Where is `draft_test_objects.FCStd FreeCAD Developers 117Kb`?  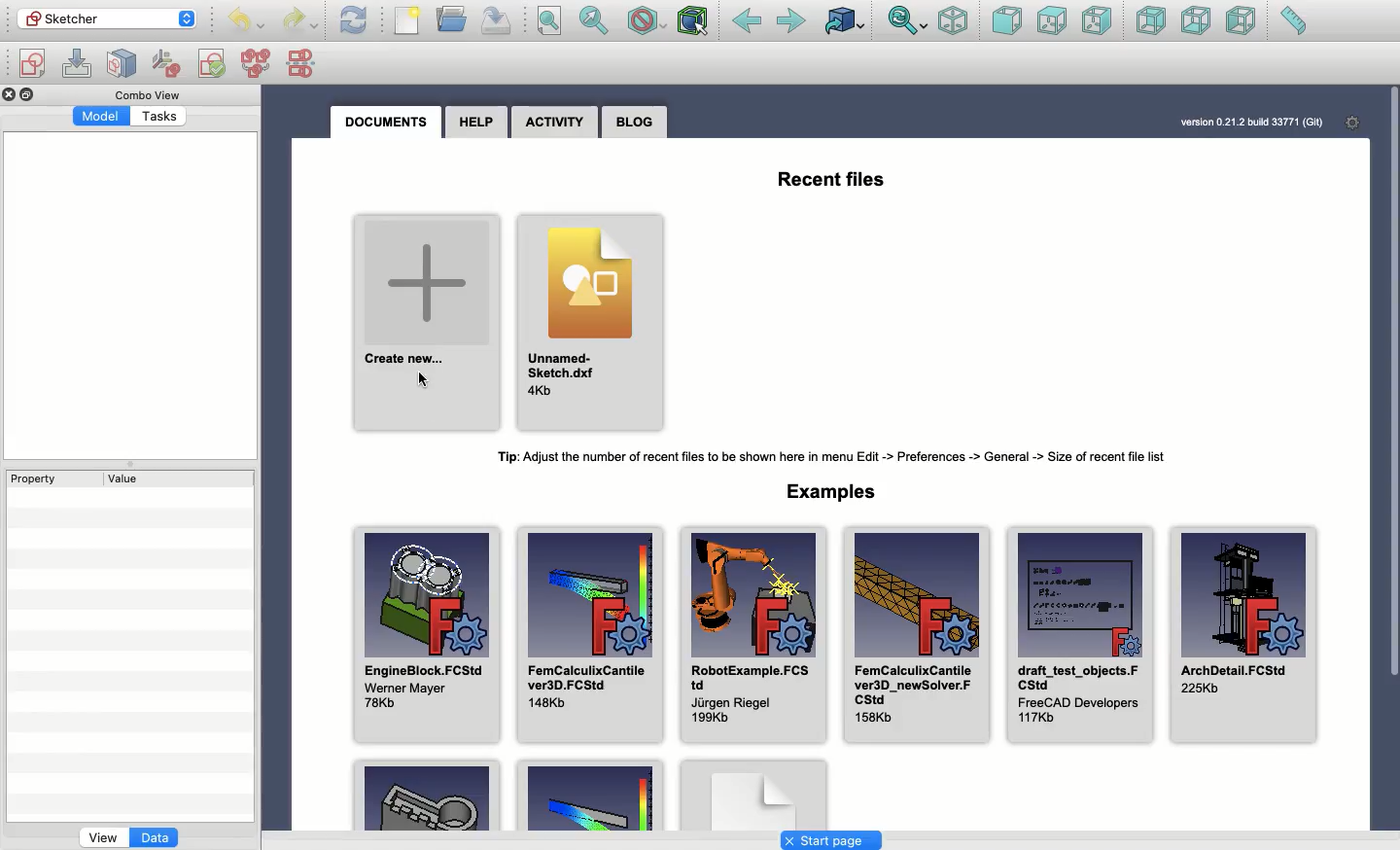
draft_test_objects.FCStd FreeCAD Developers 117Kb is located at coordinates (1081, 634).